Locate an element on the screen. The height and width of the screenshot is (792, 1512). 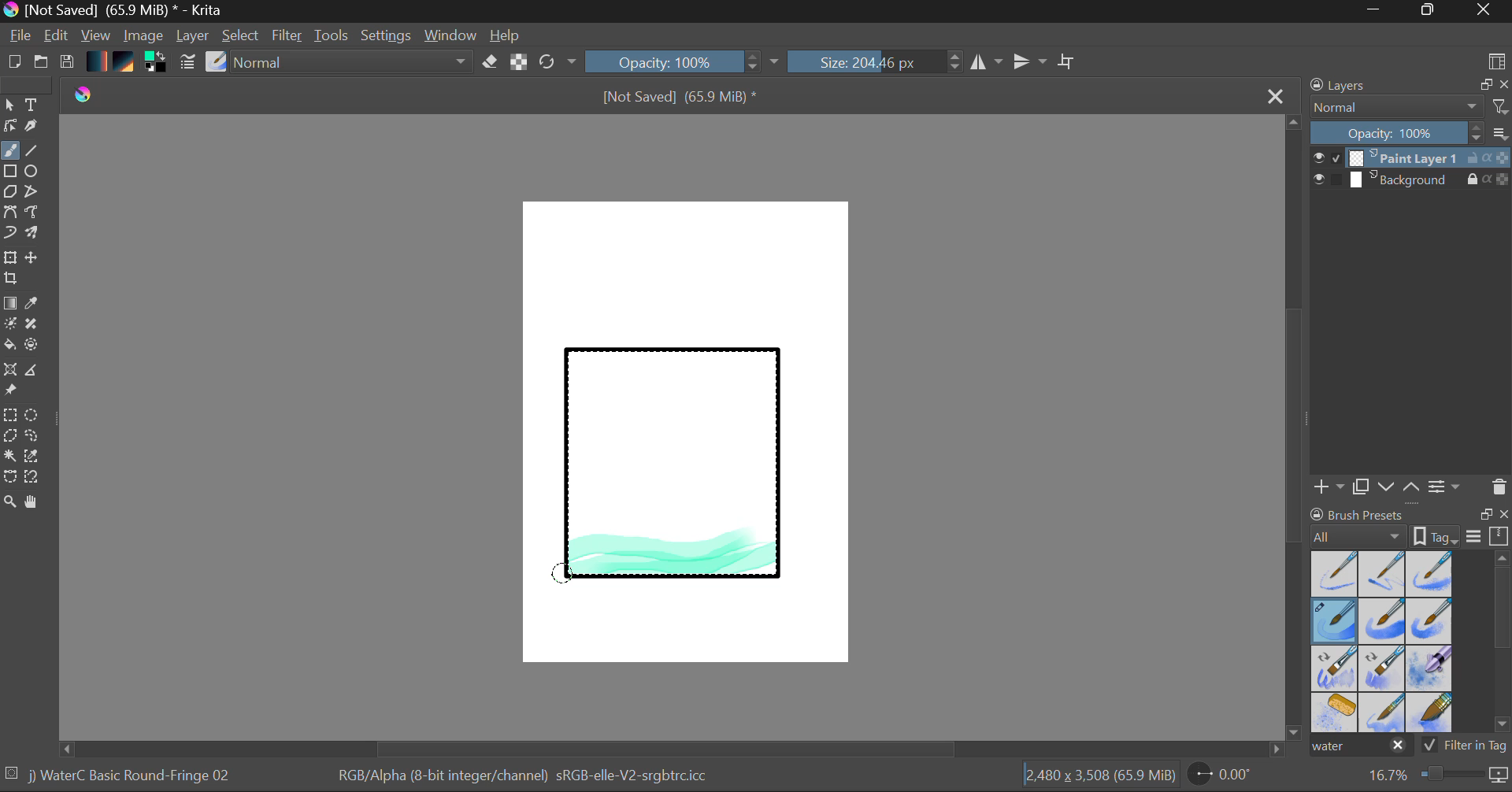
Line is located at coordinates (32, 151).